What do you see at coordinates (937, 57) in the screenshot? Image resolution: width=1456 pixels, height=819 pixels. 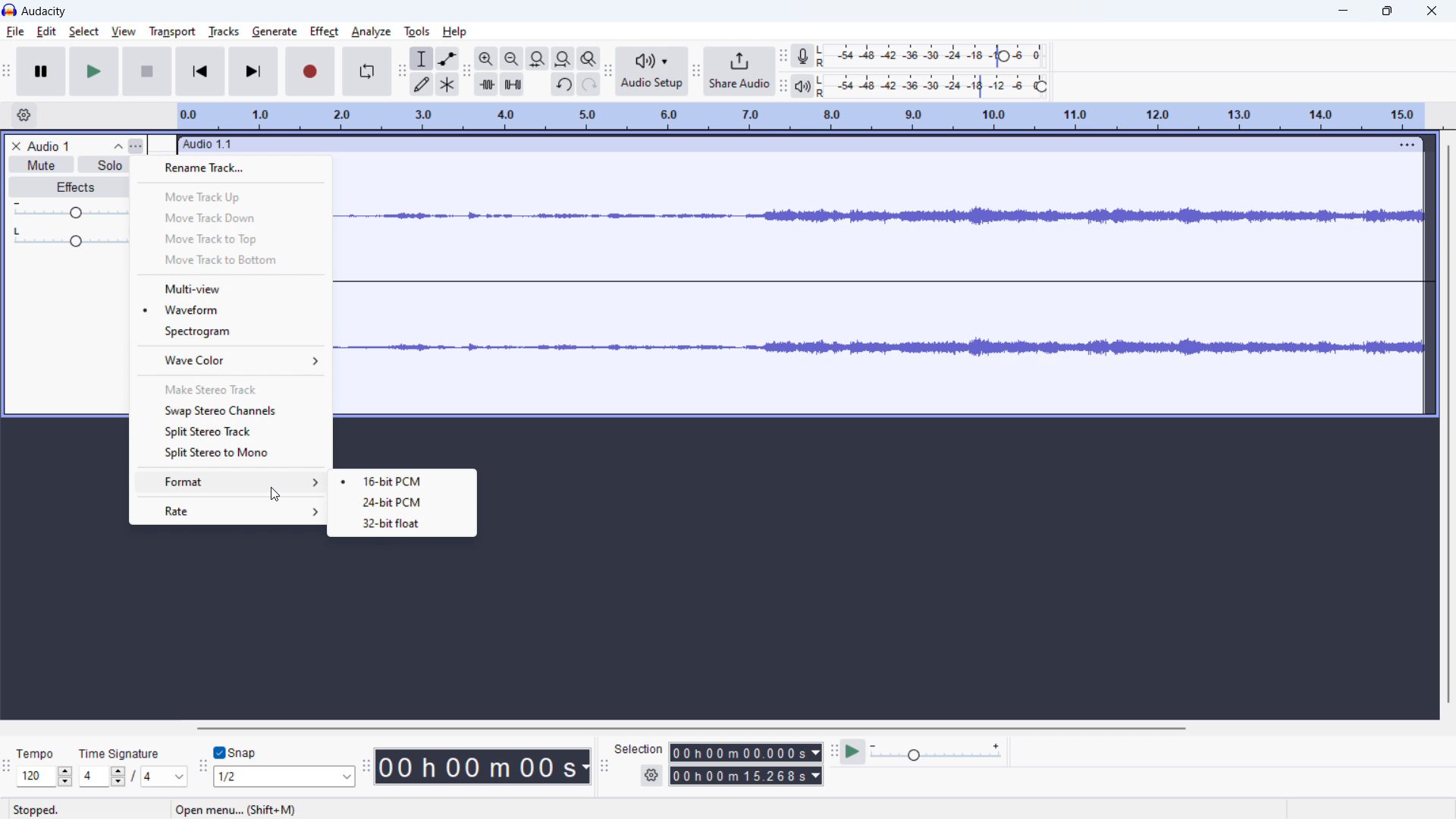 I see `record level` at bounding box center [937, 57].